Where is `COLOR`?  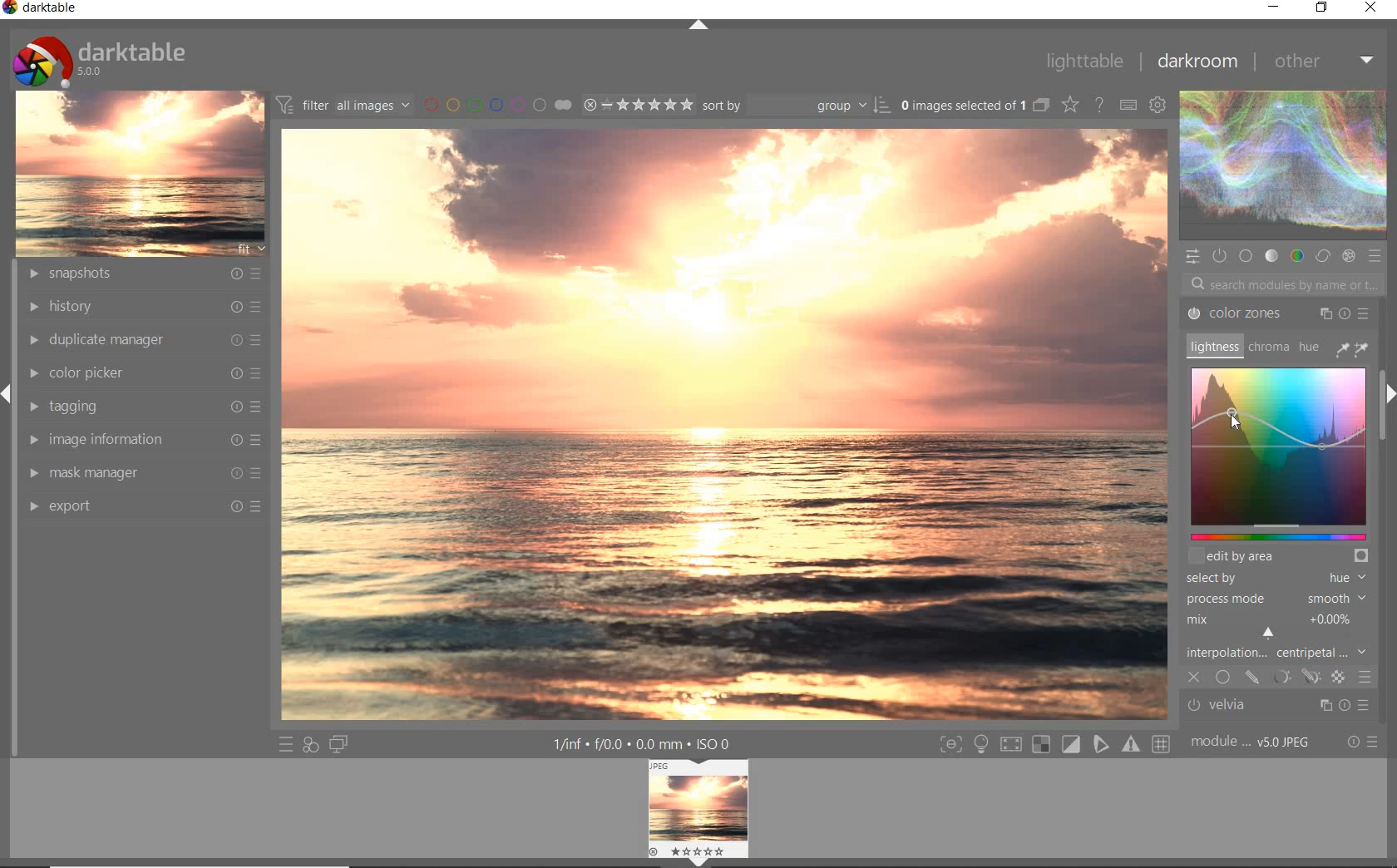 COLOR is located at coordinates (1295, 256).